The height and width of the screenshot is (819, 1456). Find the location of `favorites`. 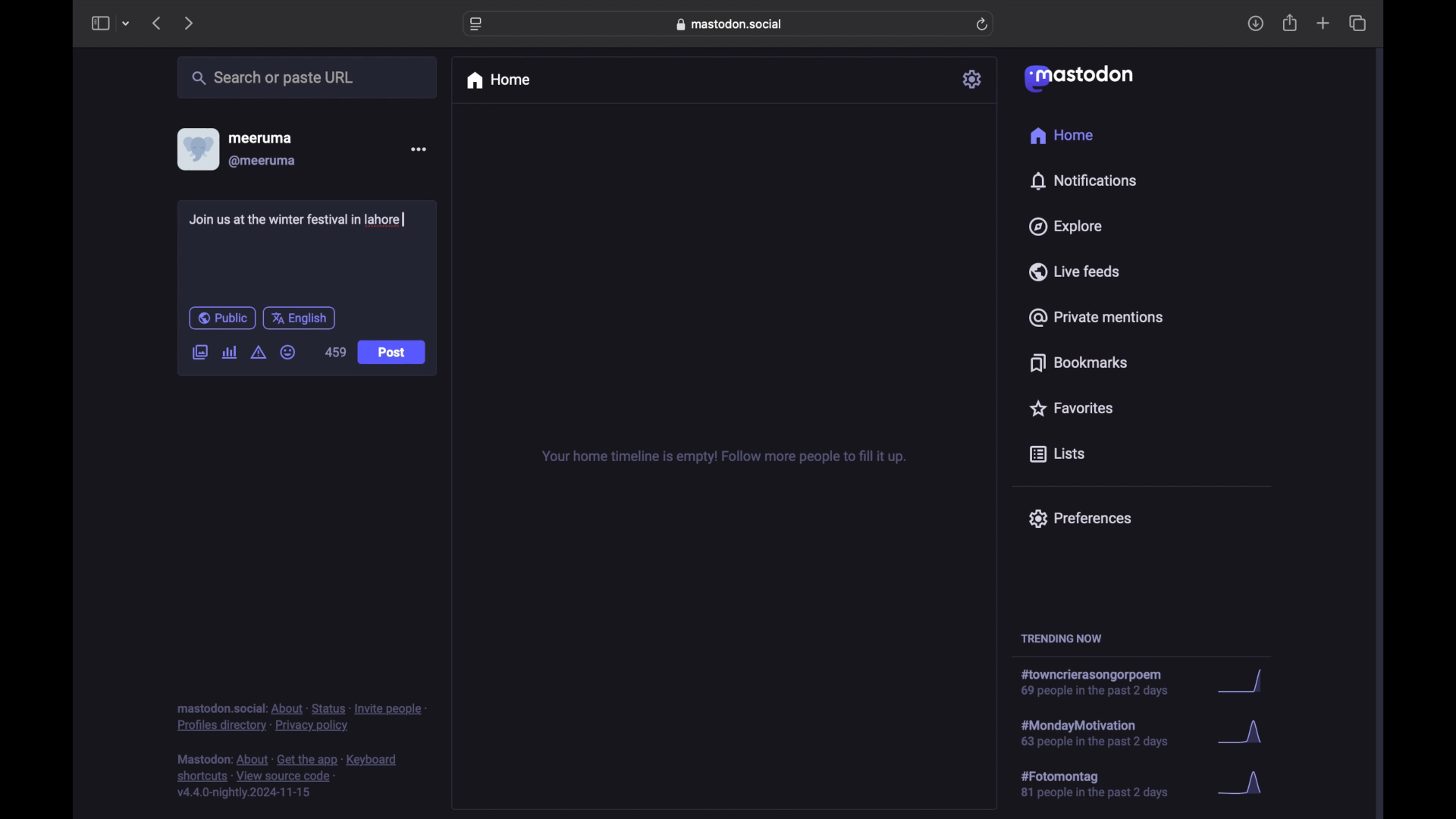

favorites is located at coordinates (1070, 408).